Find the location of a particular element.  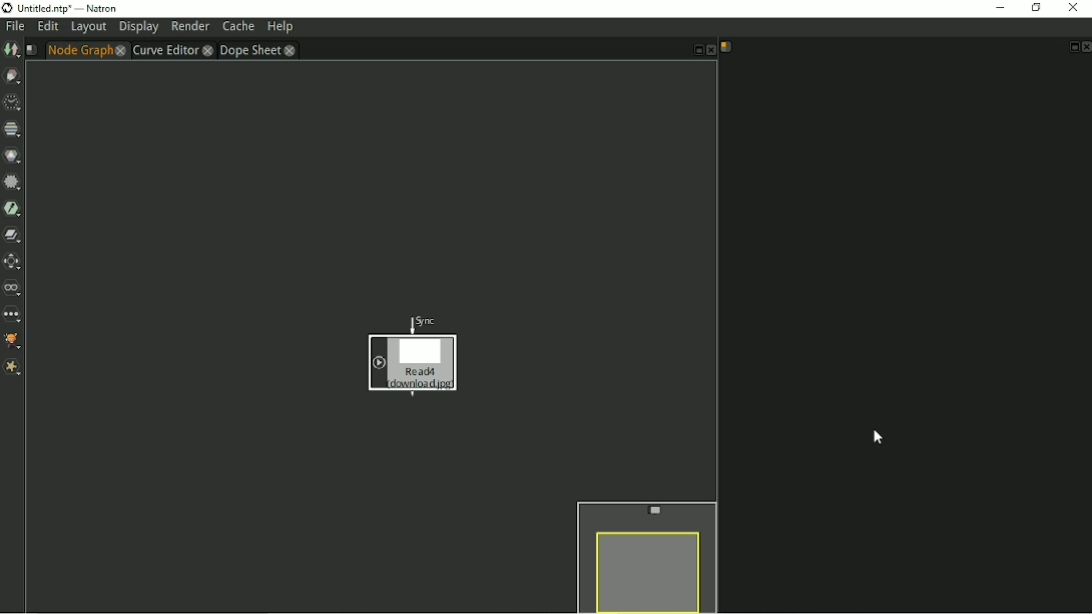

Transform is located at coordinates (13, 261).